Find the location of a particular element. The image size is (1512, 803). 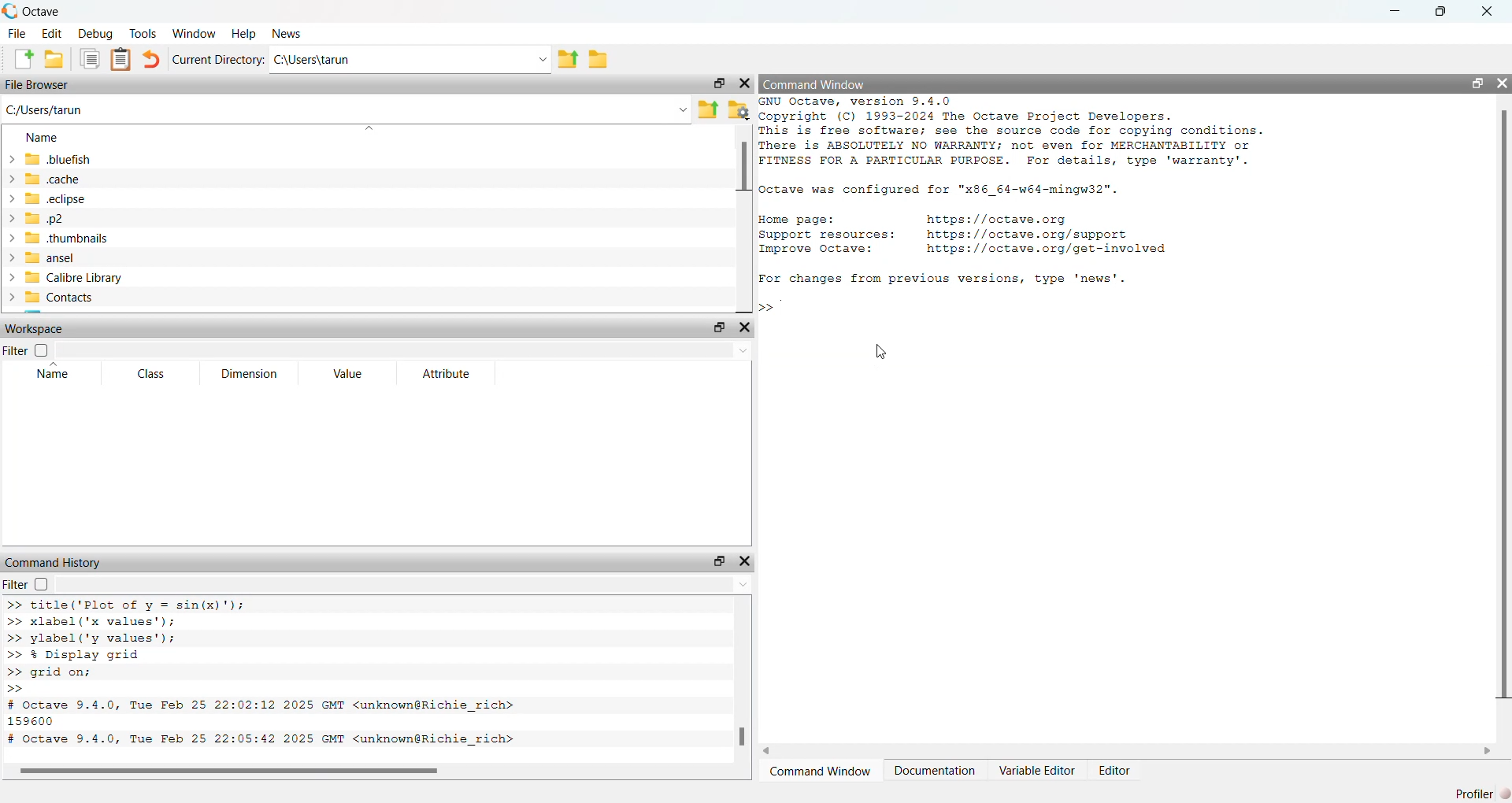

scroll bar is located at coordinates (229, 771).